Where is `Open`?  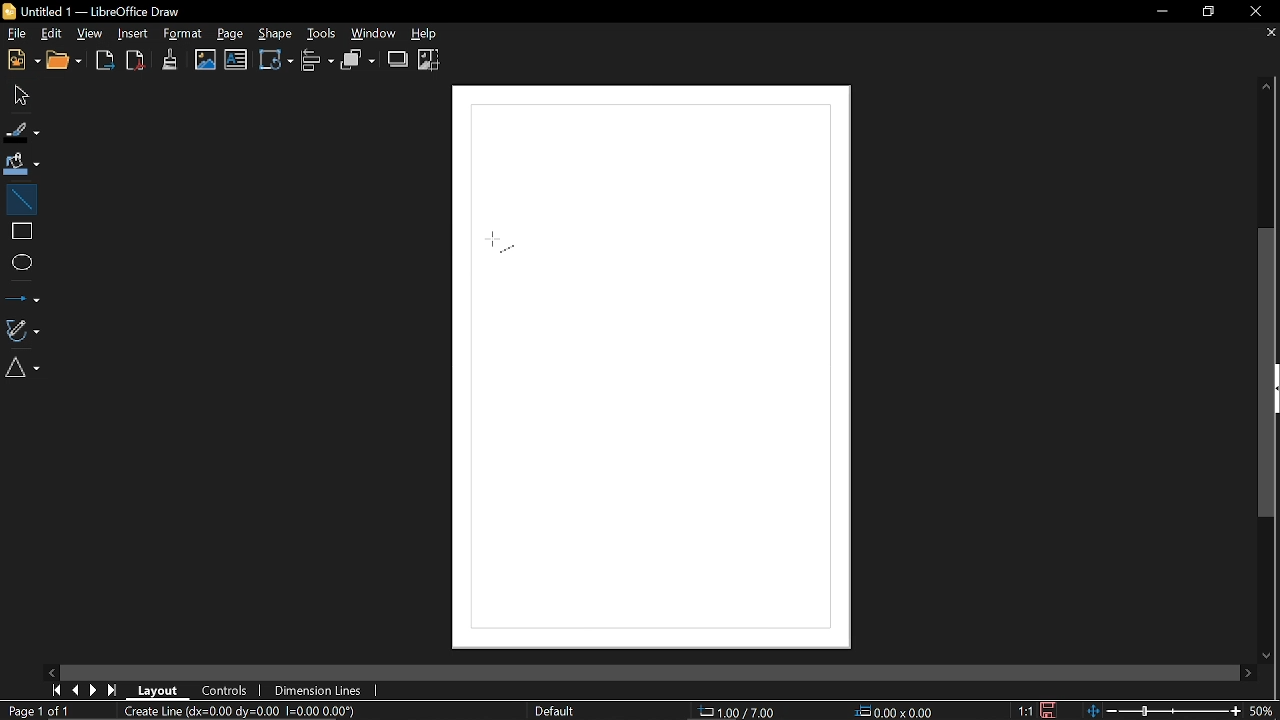
Open is located at coordinates (65, 61).